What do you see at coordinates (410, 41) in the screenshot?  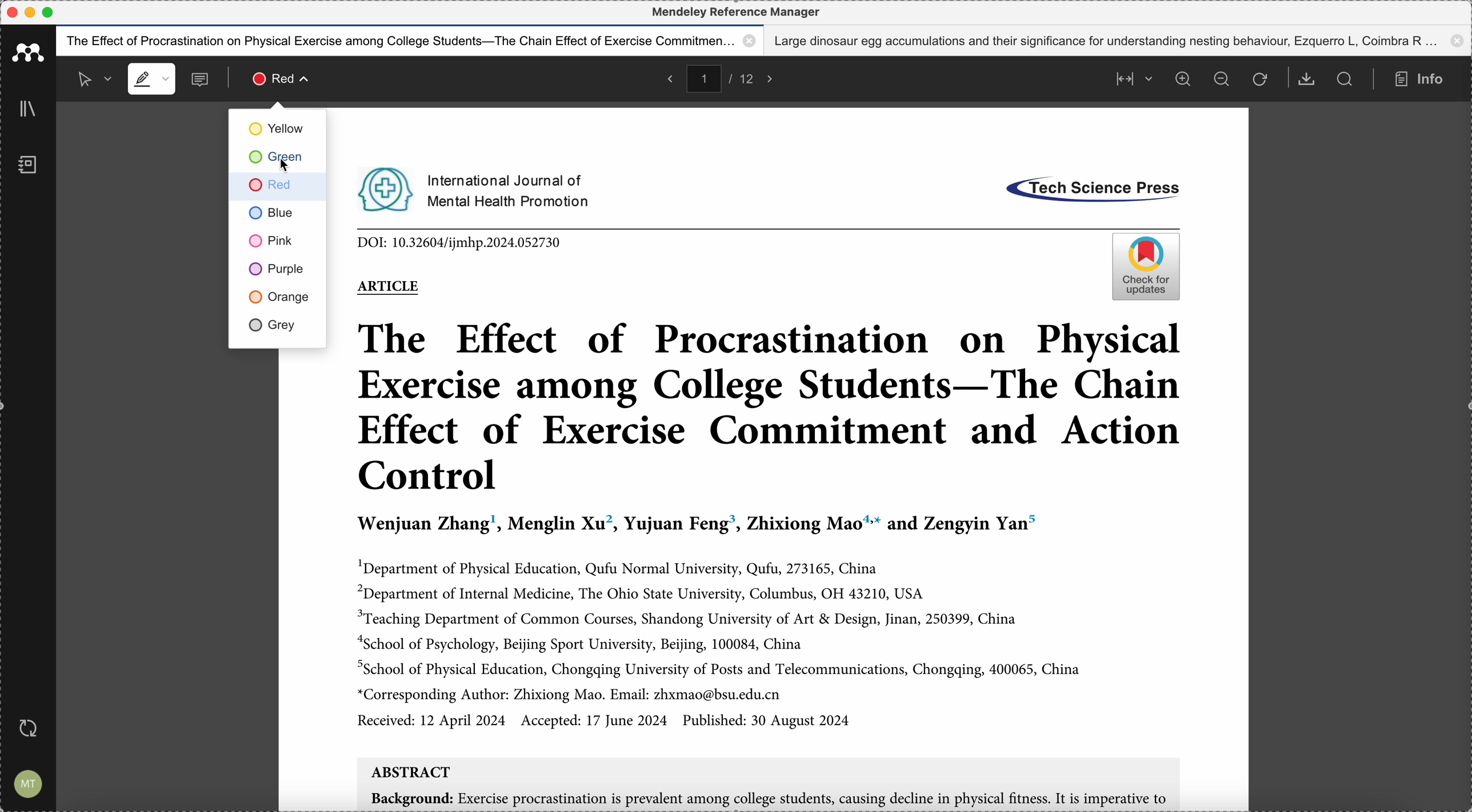 I see `The effect of procastination on physical exercise among college students - The Chain effect of exercise` at bounding box center [410, 41].